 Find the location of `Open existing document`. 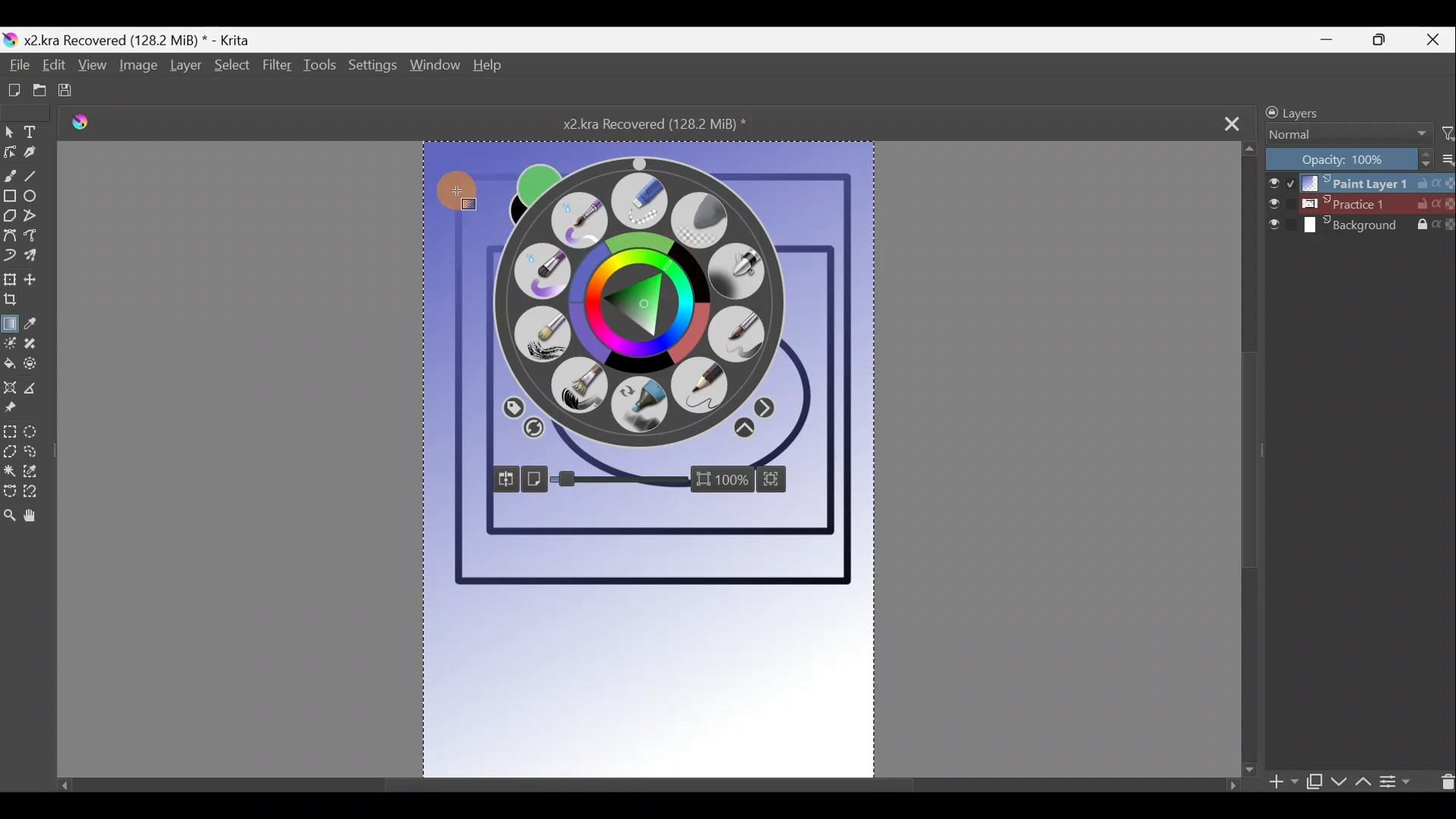

Open existing document is located at coordinates (33, 91).